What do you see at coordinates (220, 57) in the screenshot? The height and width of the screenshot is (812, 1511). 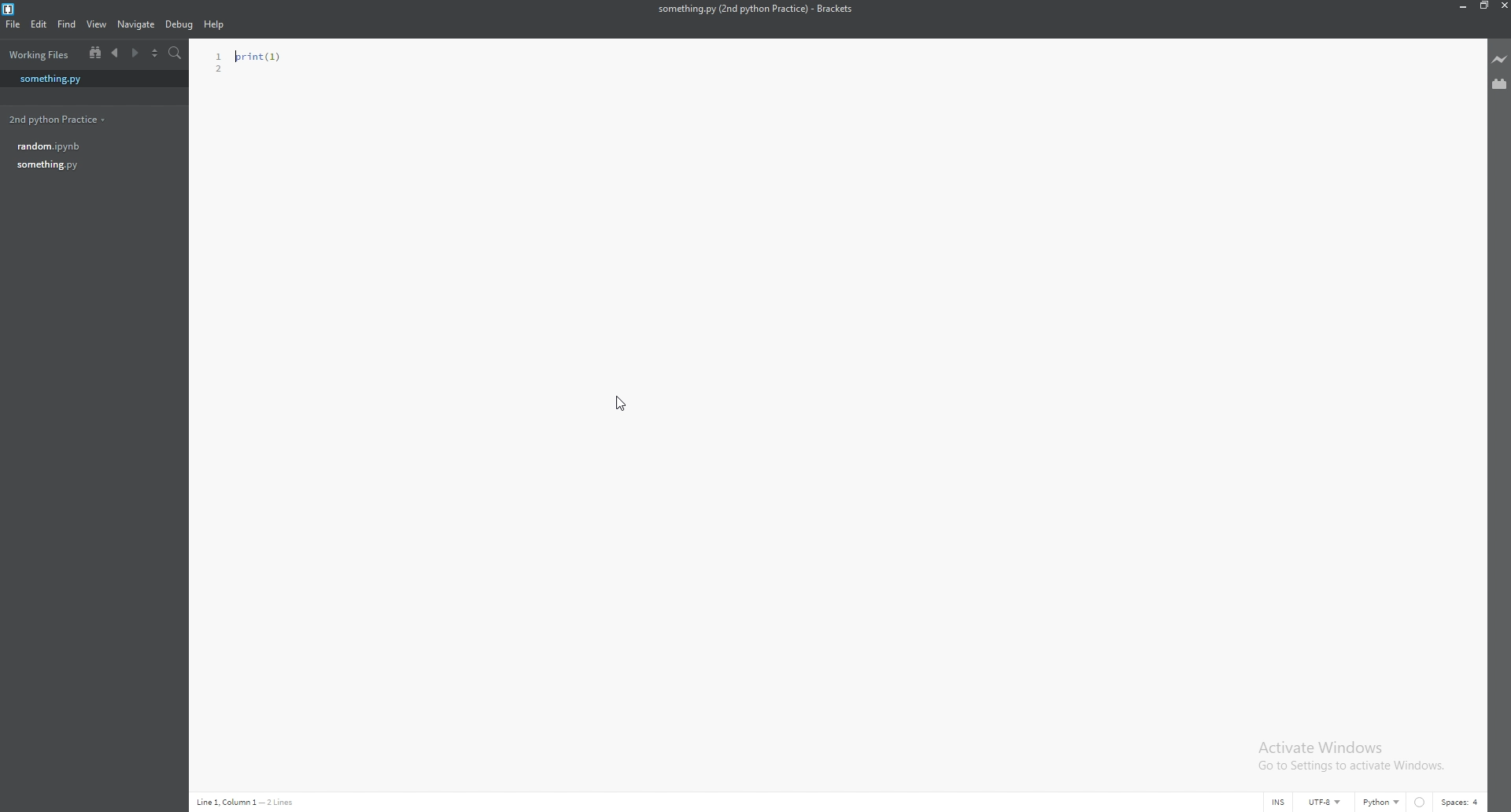 I see `1` at bounding box center [220, 57].